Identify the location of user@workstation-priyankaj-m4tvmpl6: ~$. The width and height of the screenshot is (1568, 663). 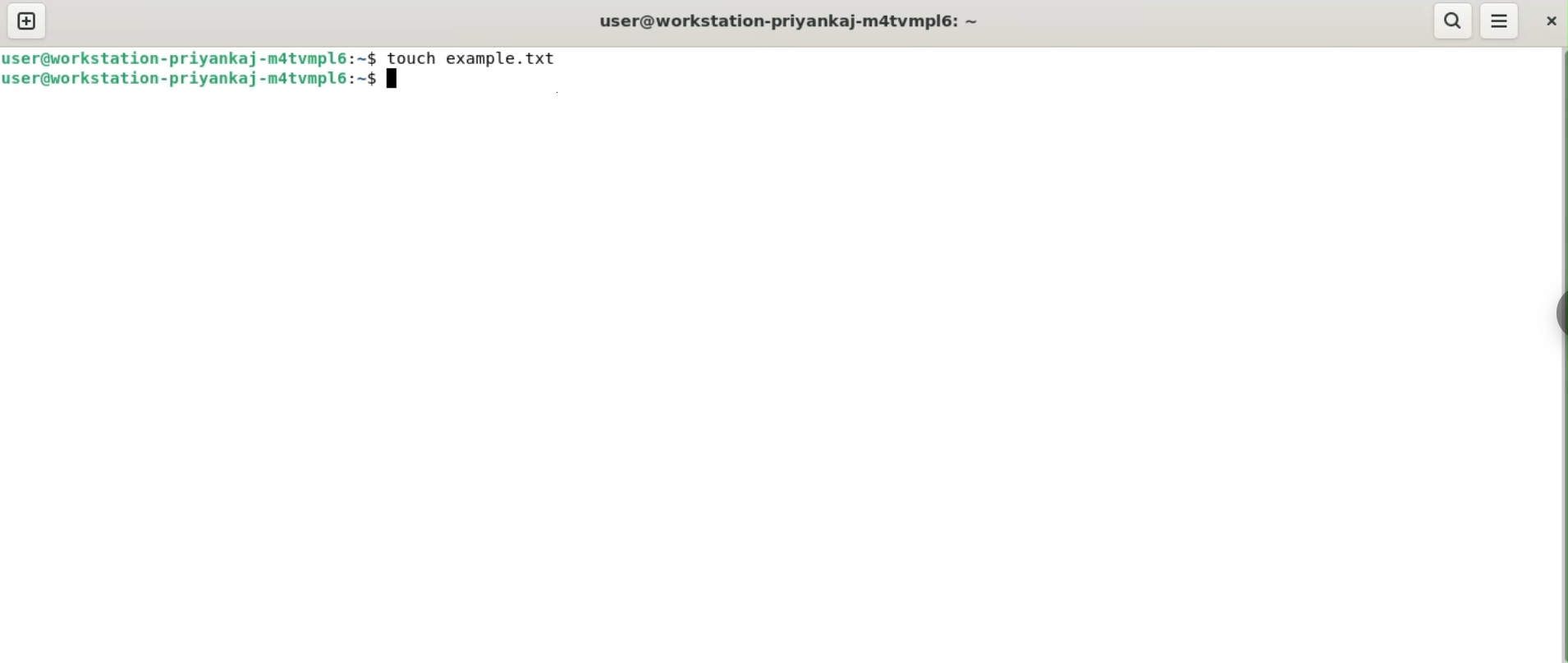
(190, 57).